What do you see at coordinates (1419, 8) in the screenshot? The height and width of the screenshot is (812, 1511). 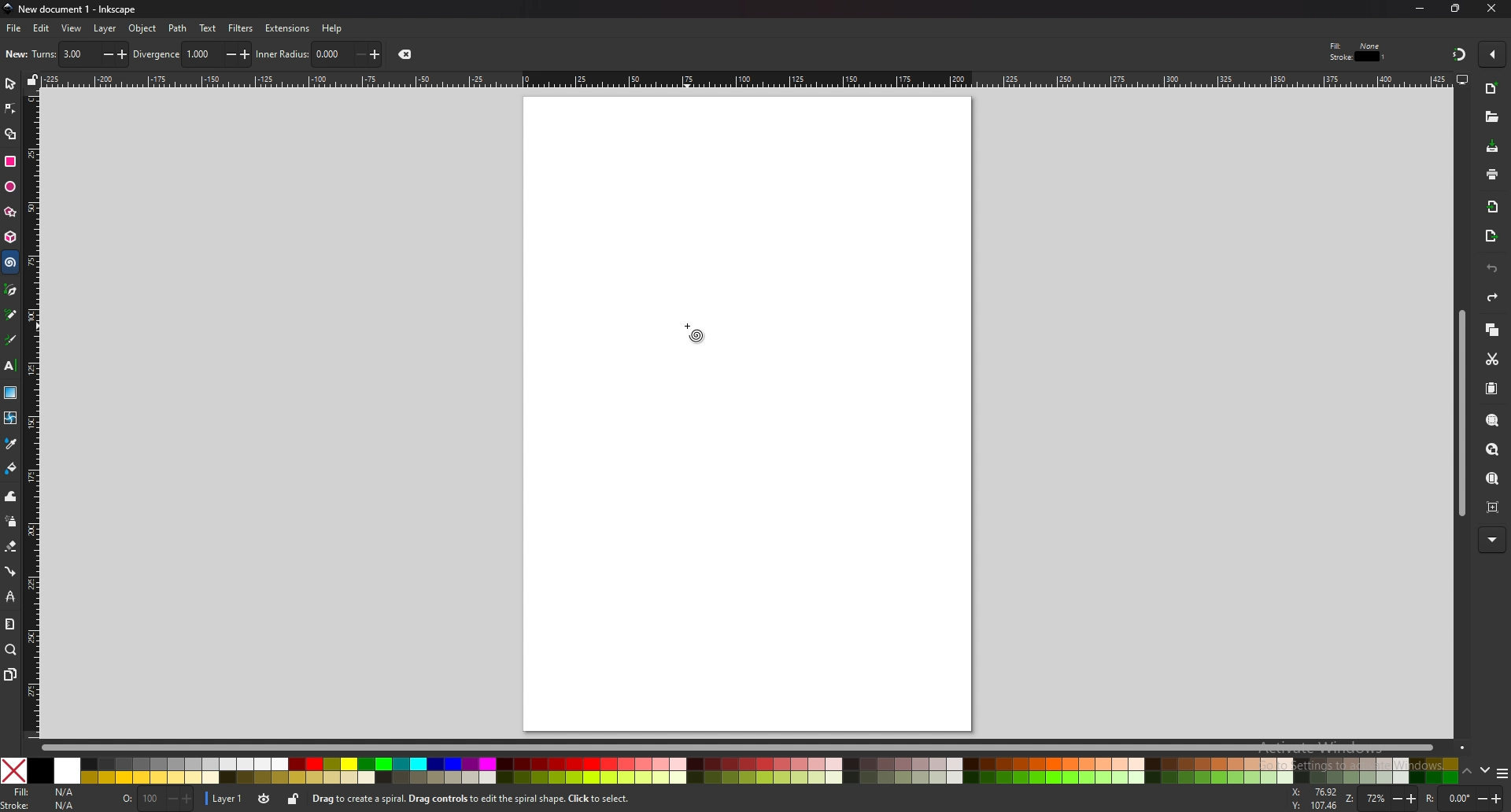 I see `minimize` at bounding box center [1419, 8].